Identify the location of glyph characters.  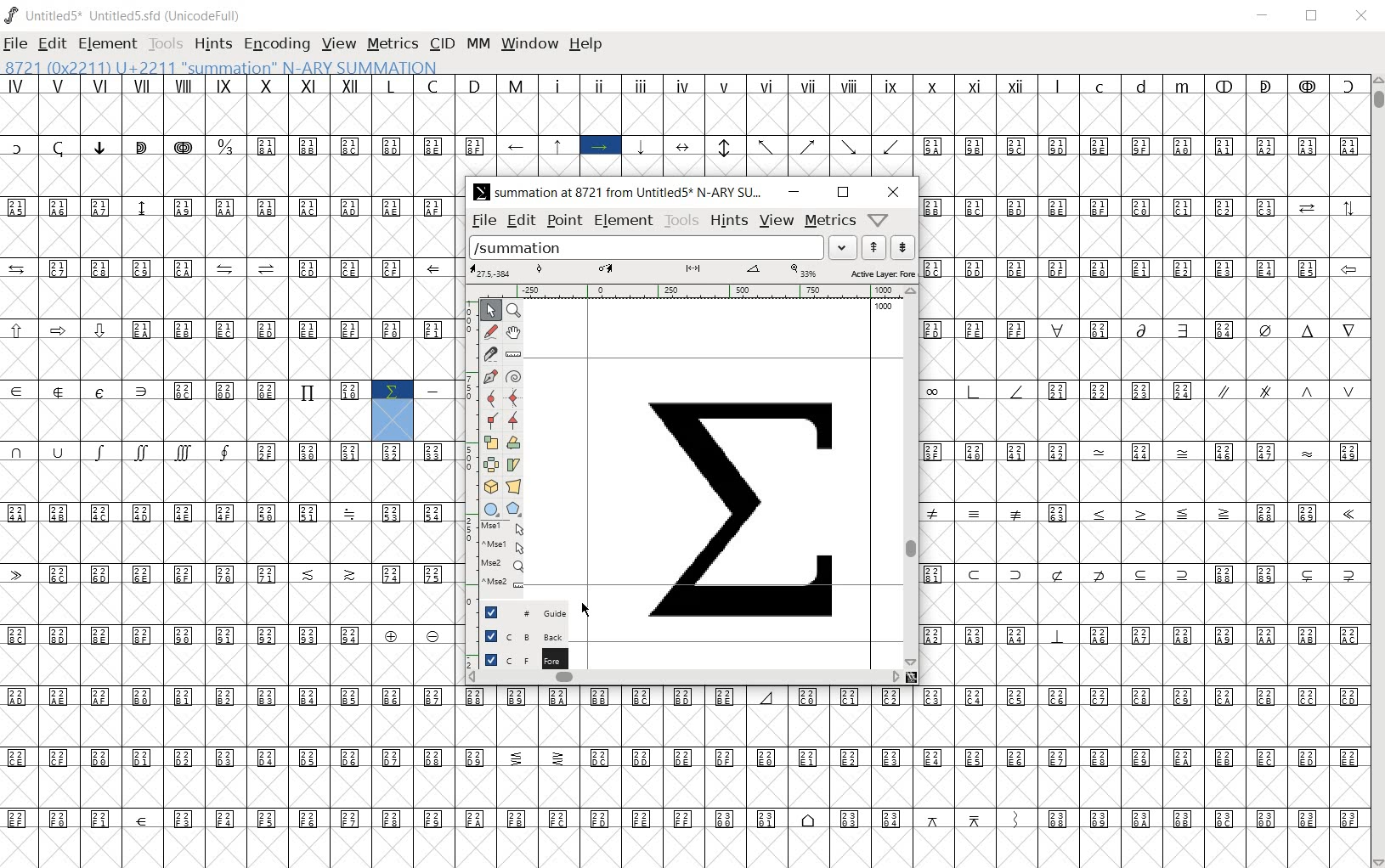
(913, 779).